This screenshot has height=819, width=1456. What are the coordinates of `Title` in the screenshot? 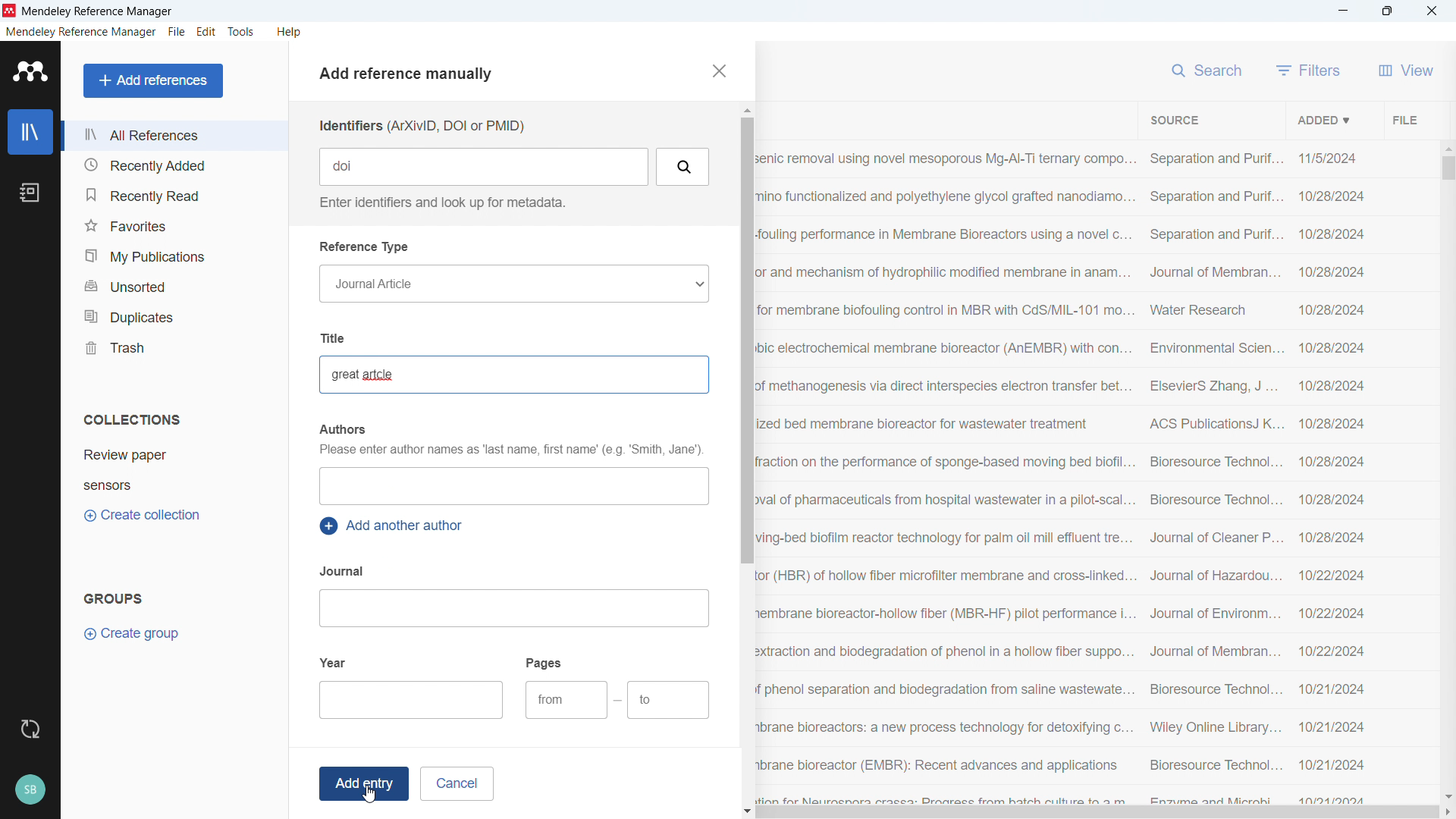 It's located at (336, 337).